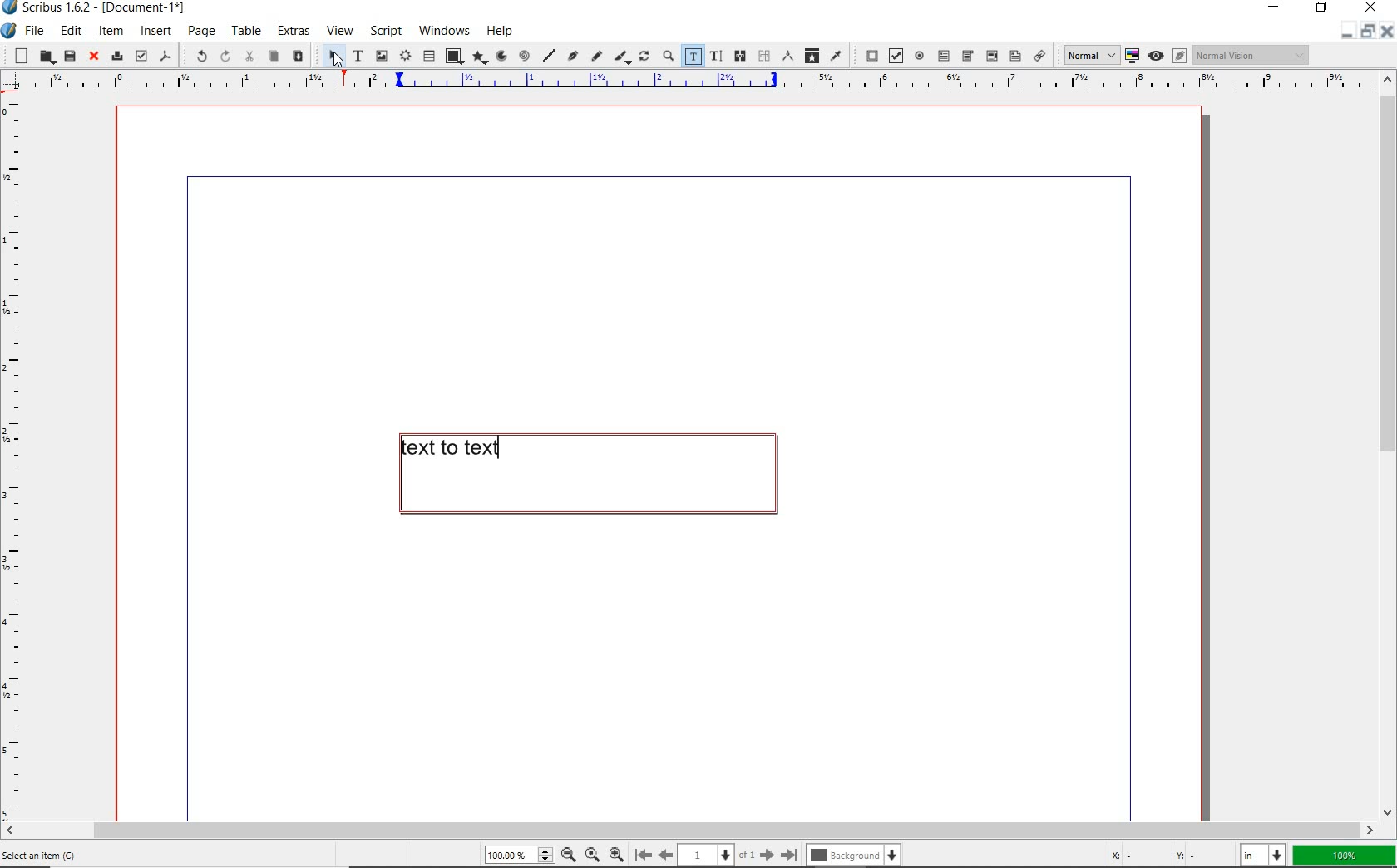 Image resolution: width=1397 pixels, height=868 pixels. I want to click on edit, so click(71, 31).